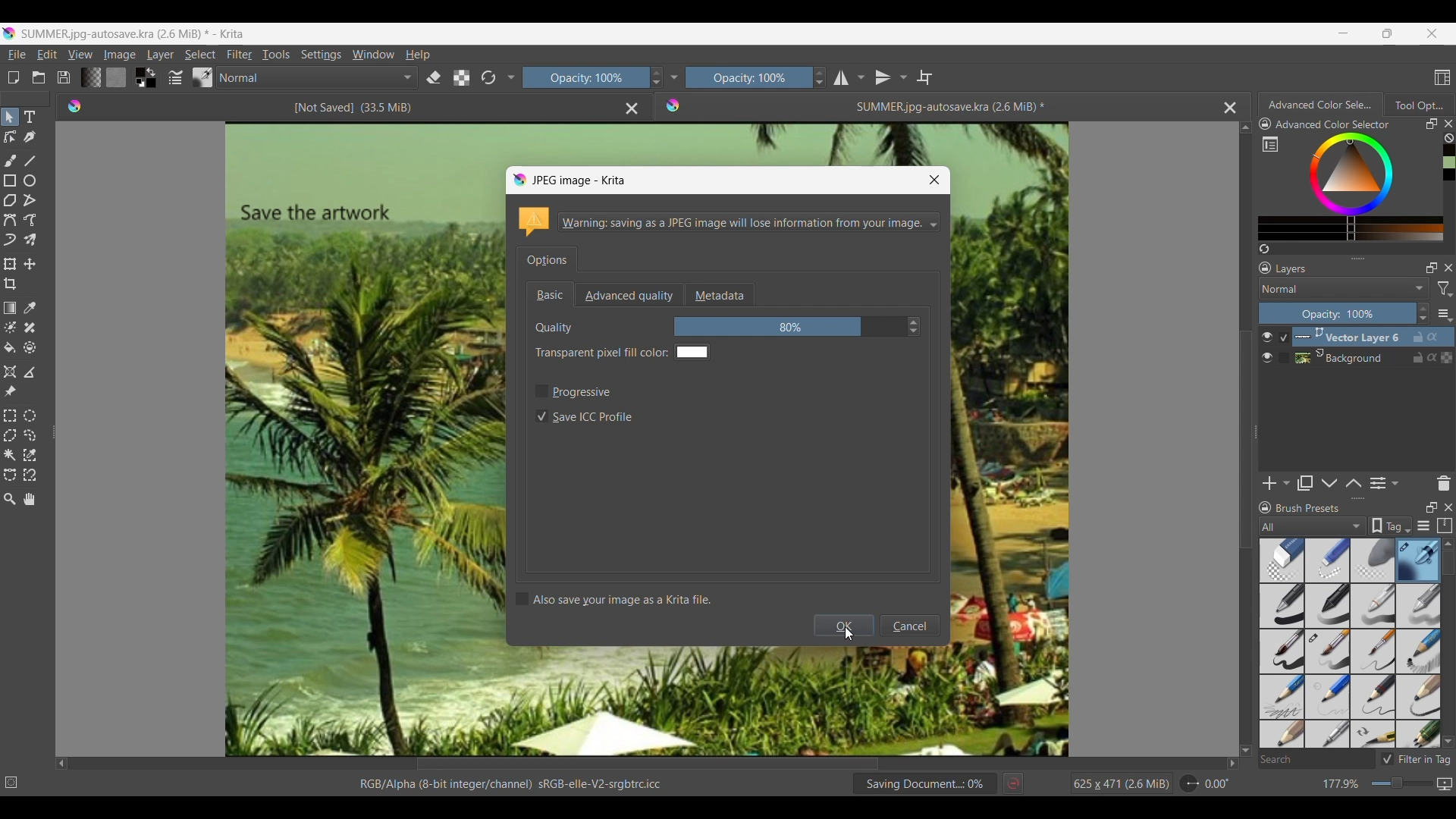 The image size is (1456, 819). I want to click on Foreground color, so click(136, 71).